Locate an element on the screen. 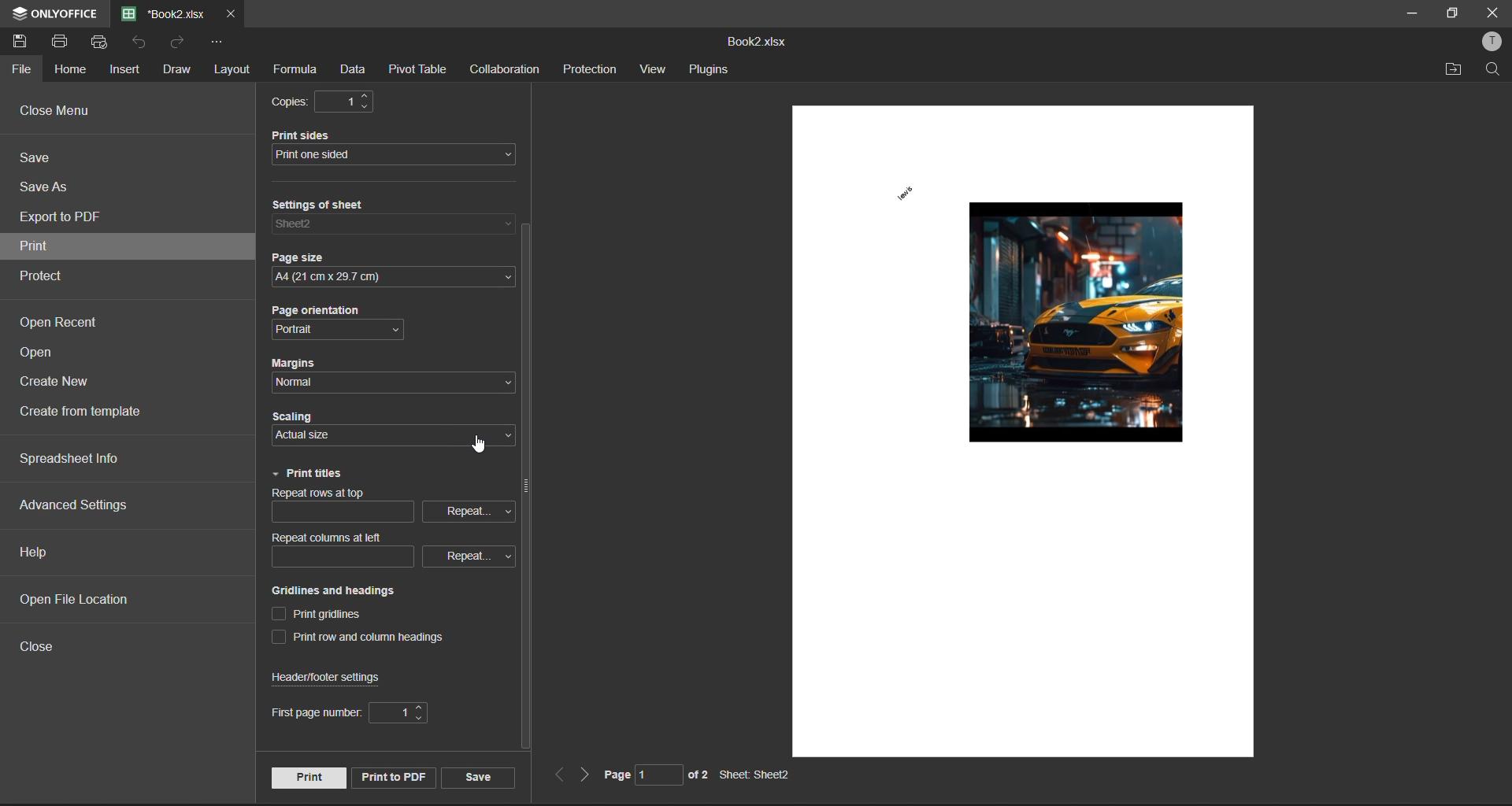  gridlines and headings is located at coordinates (343, 591).